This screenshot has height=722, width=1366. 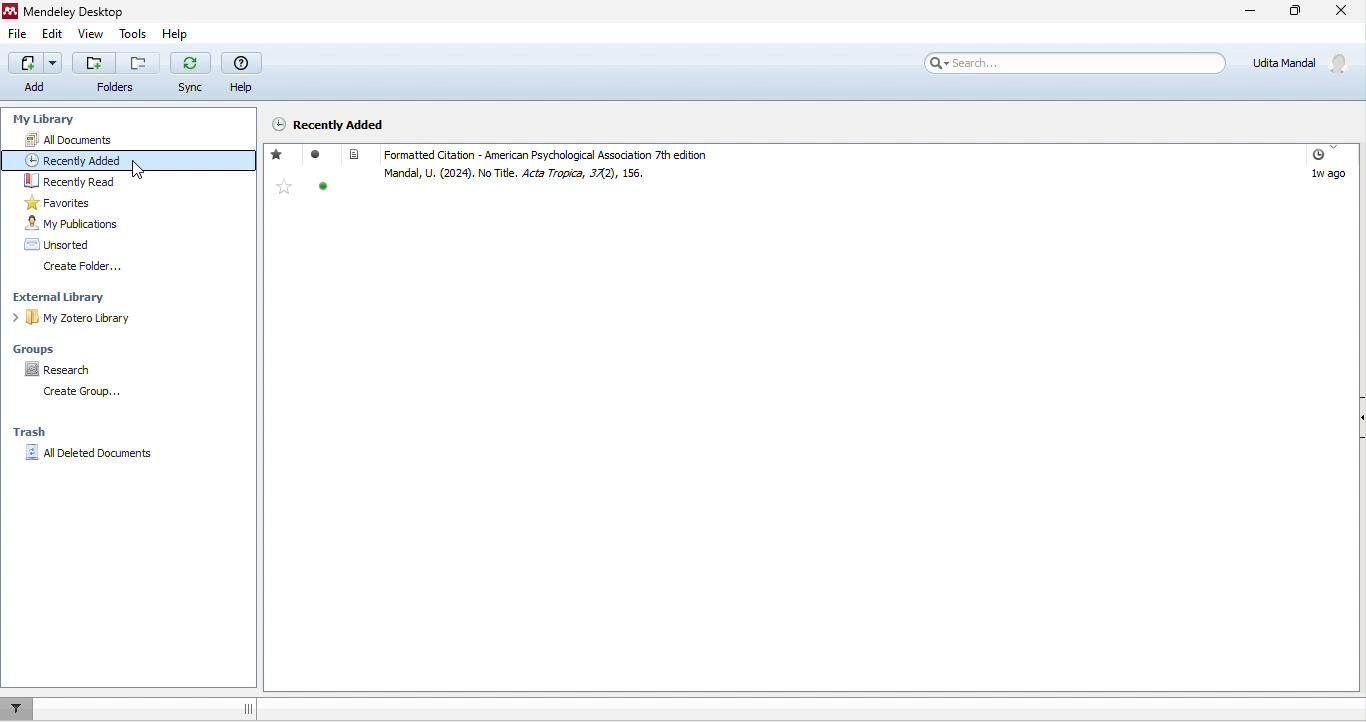 What do you see at coordinates (88, 454) in the screenshot?
I see `all deleted documents` at bounding box center [88, 454].